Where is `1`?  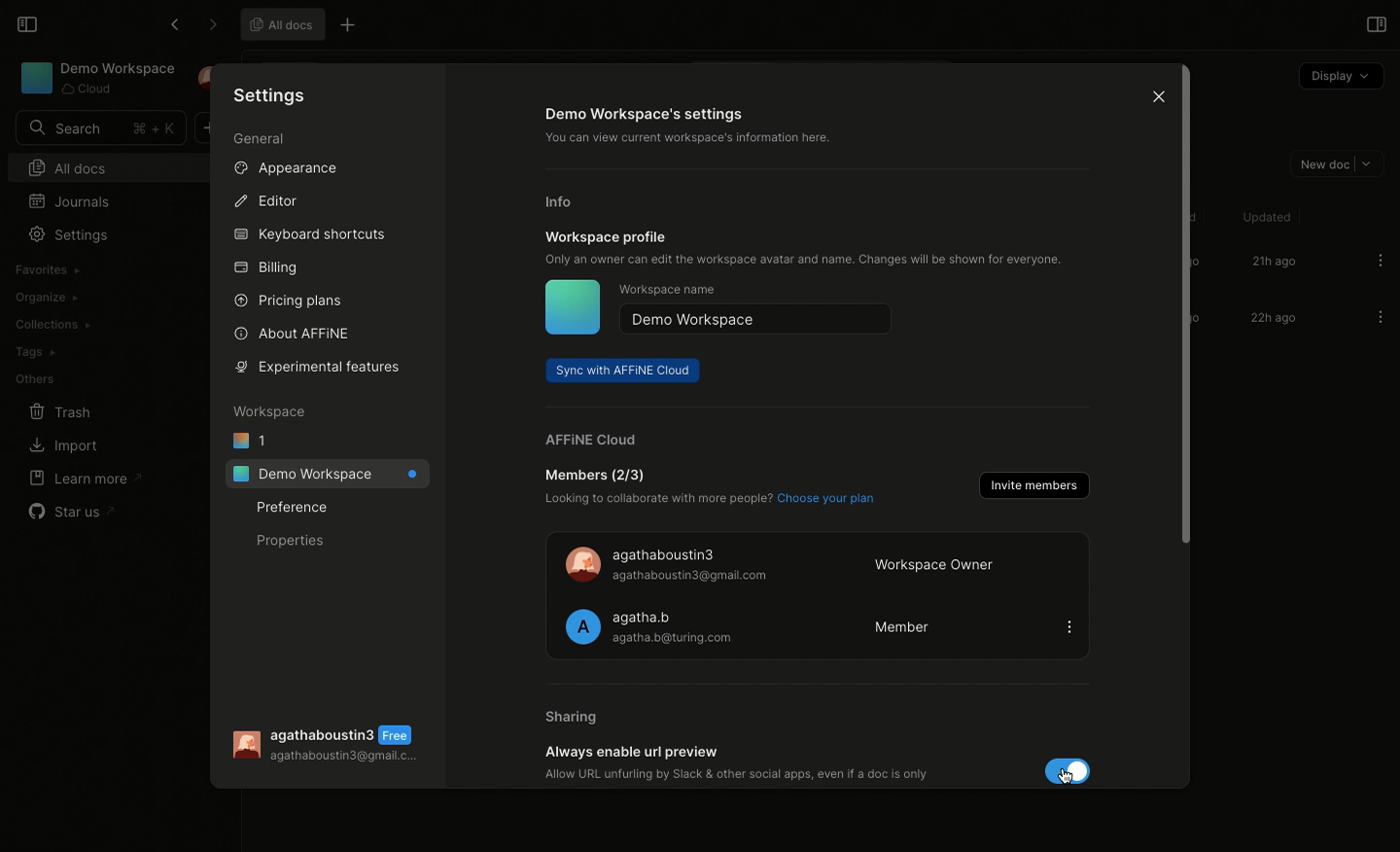
1 is located at coordinates (250, 439).